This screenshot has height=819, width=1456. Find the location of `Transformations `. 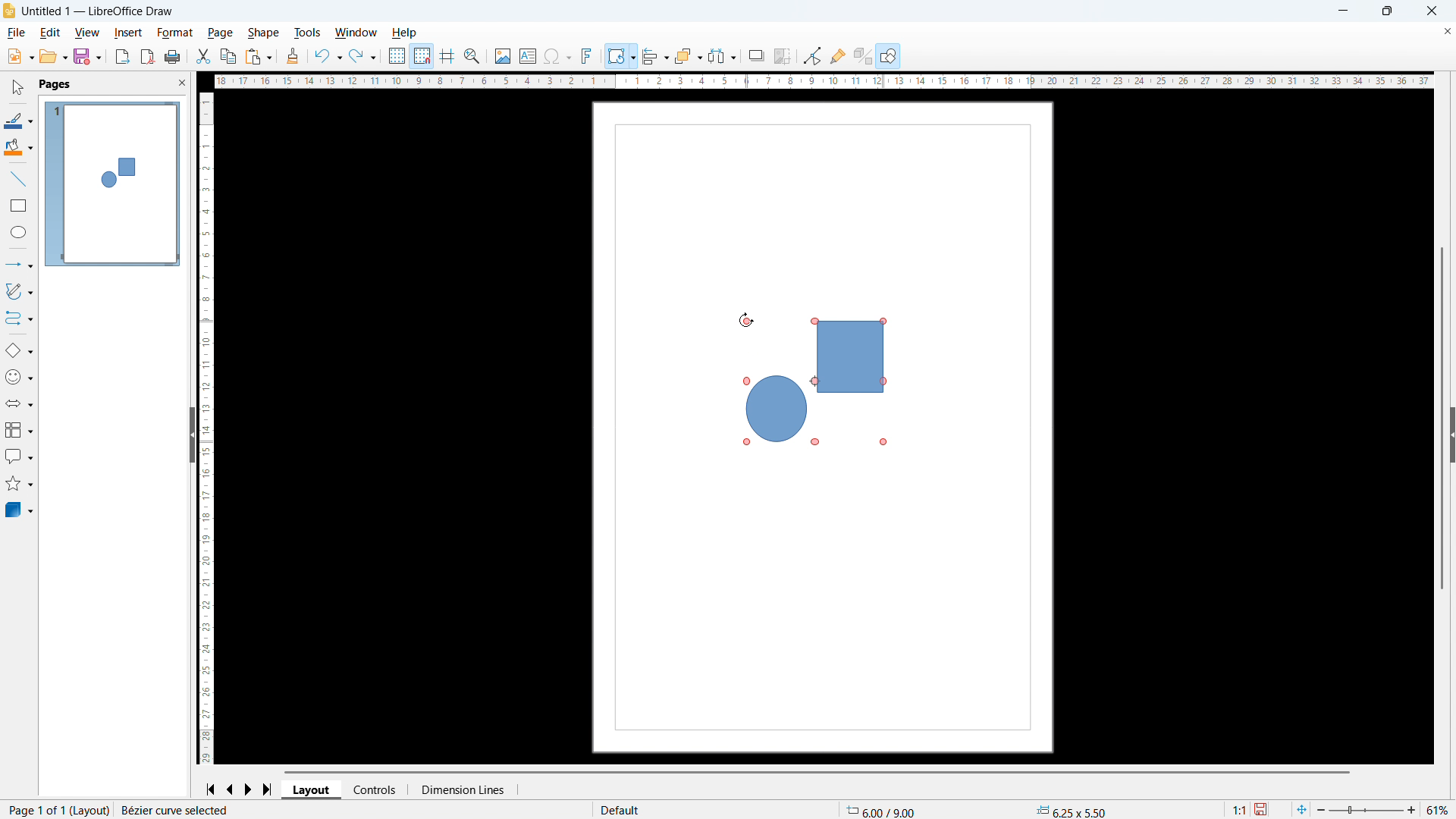

Transformations  is located at coordinates (621, 56).